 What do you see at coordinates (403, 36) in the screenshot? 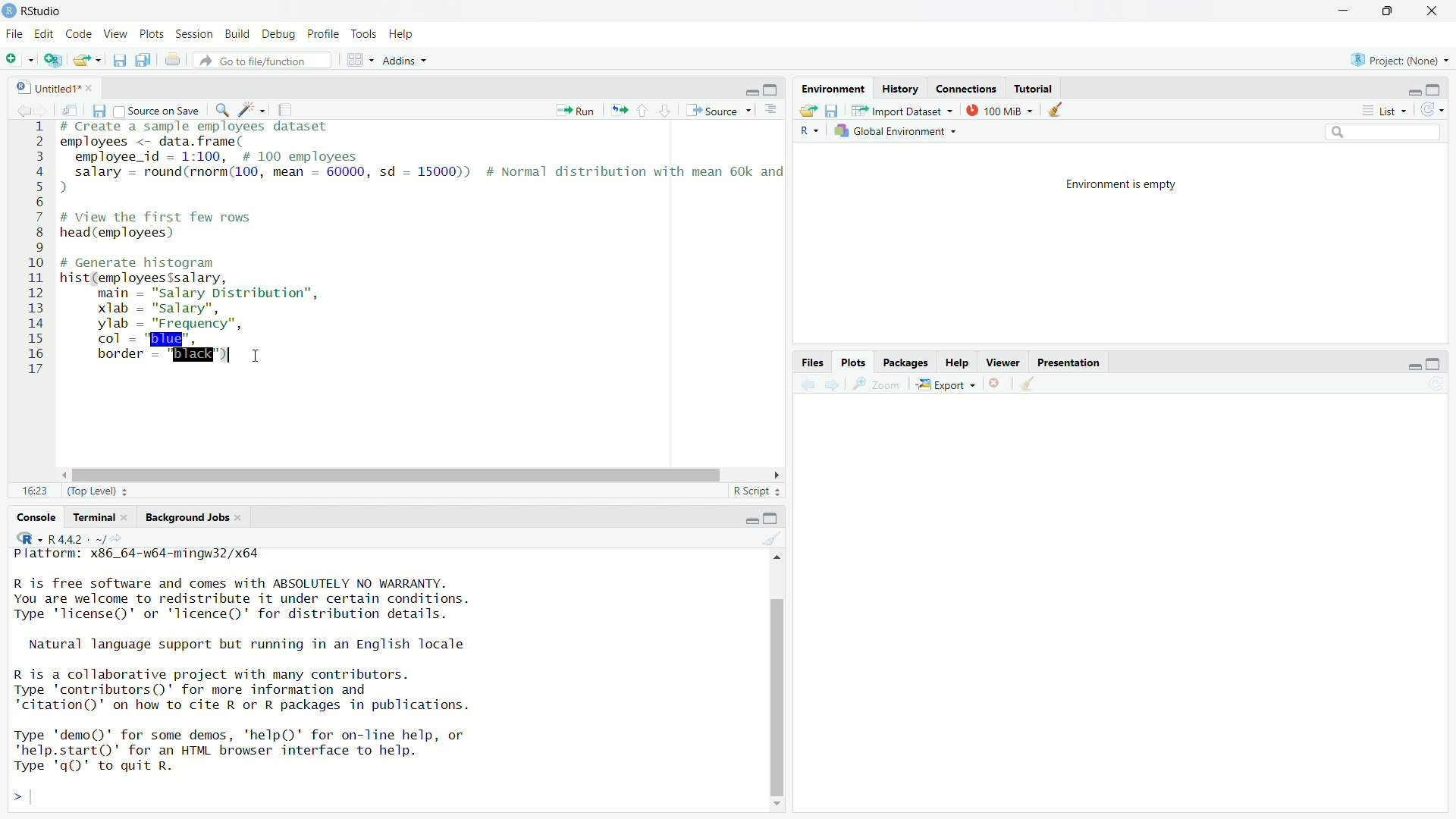
I see `Help` at bounding box center [403, 36].